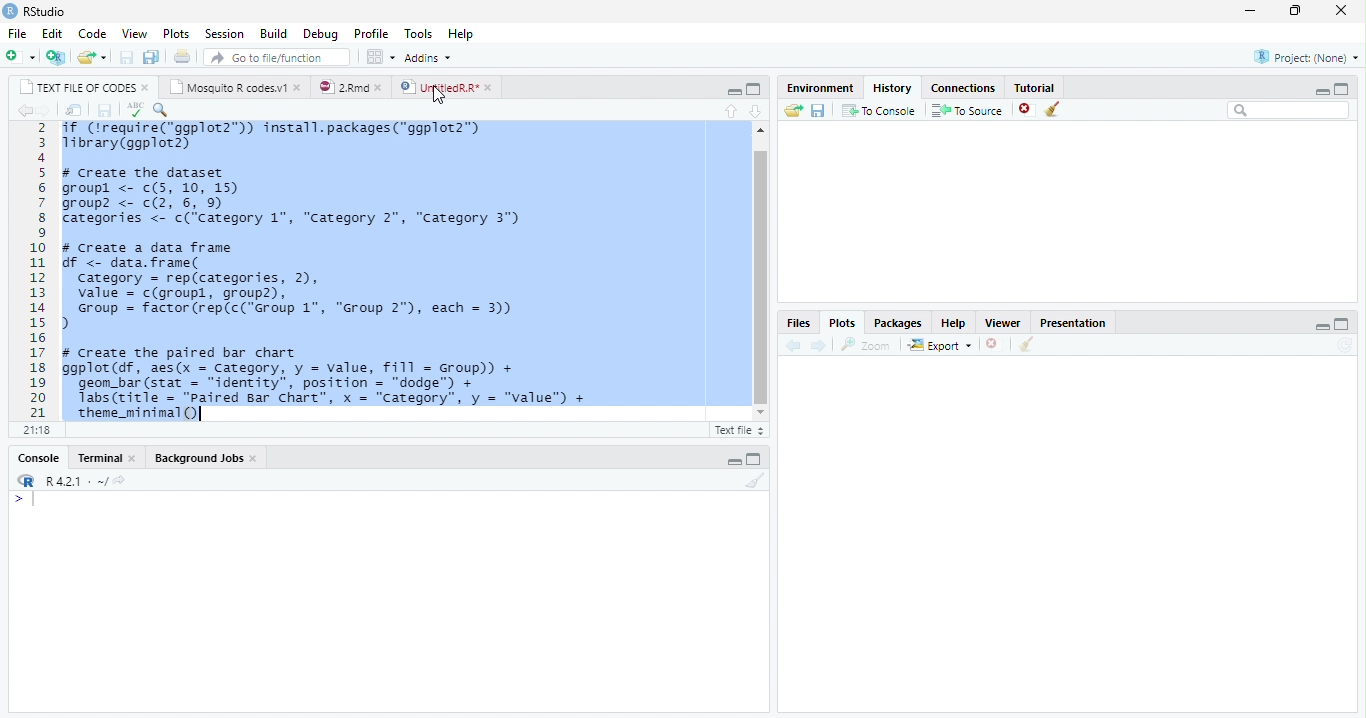 This screenshot has width=1366, height=718. What do you see at coordinates (273, 31) in the screenshot?
I see `build` at bounding box center [273, 31].